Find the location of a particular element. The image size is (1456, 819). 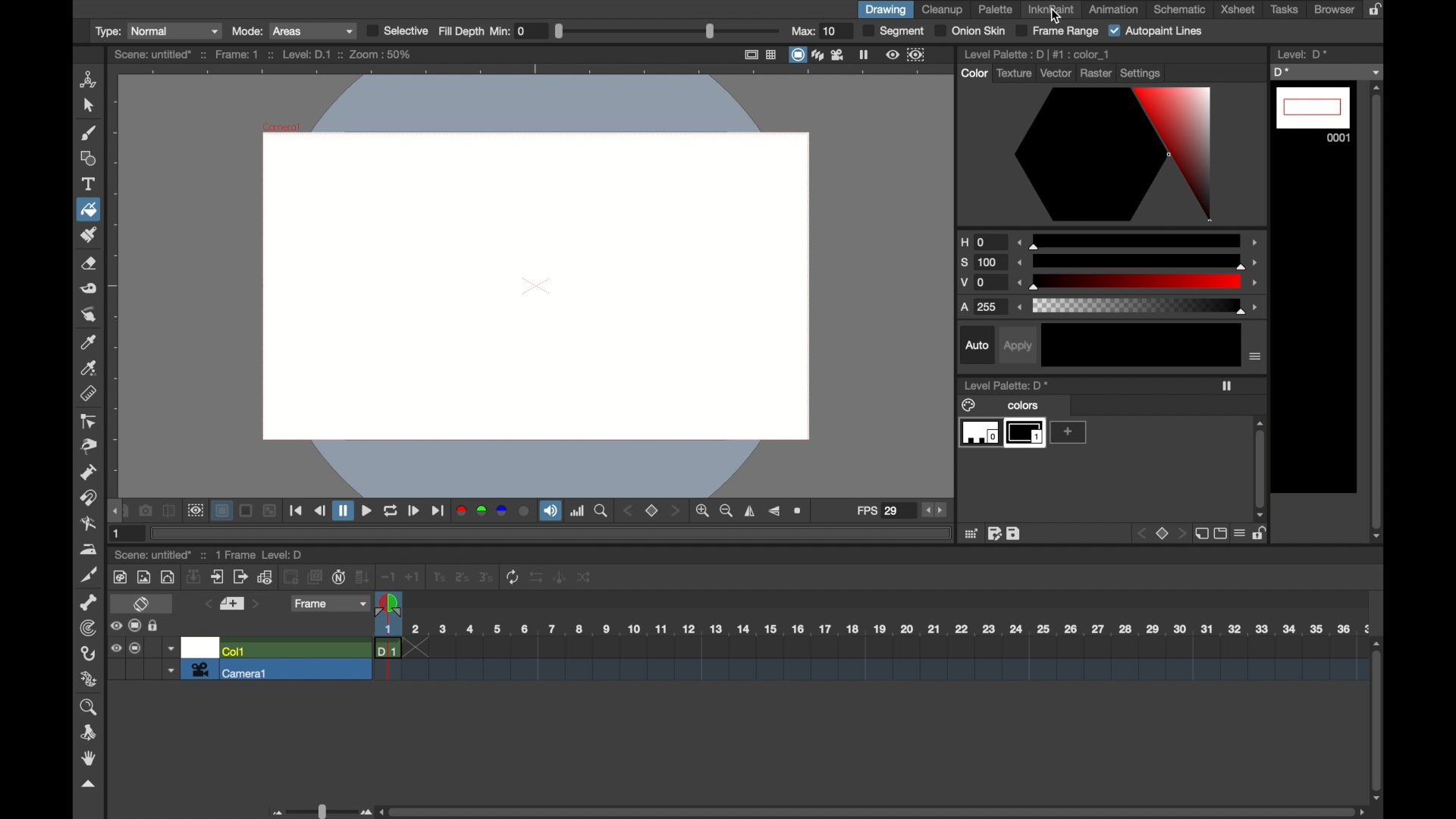

frame range is located at coordinates (1059, 31).